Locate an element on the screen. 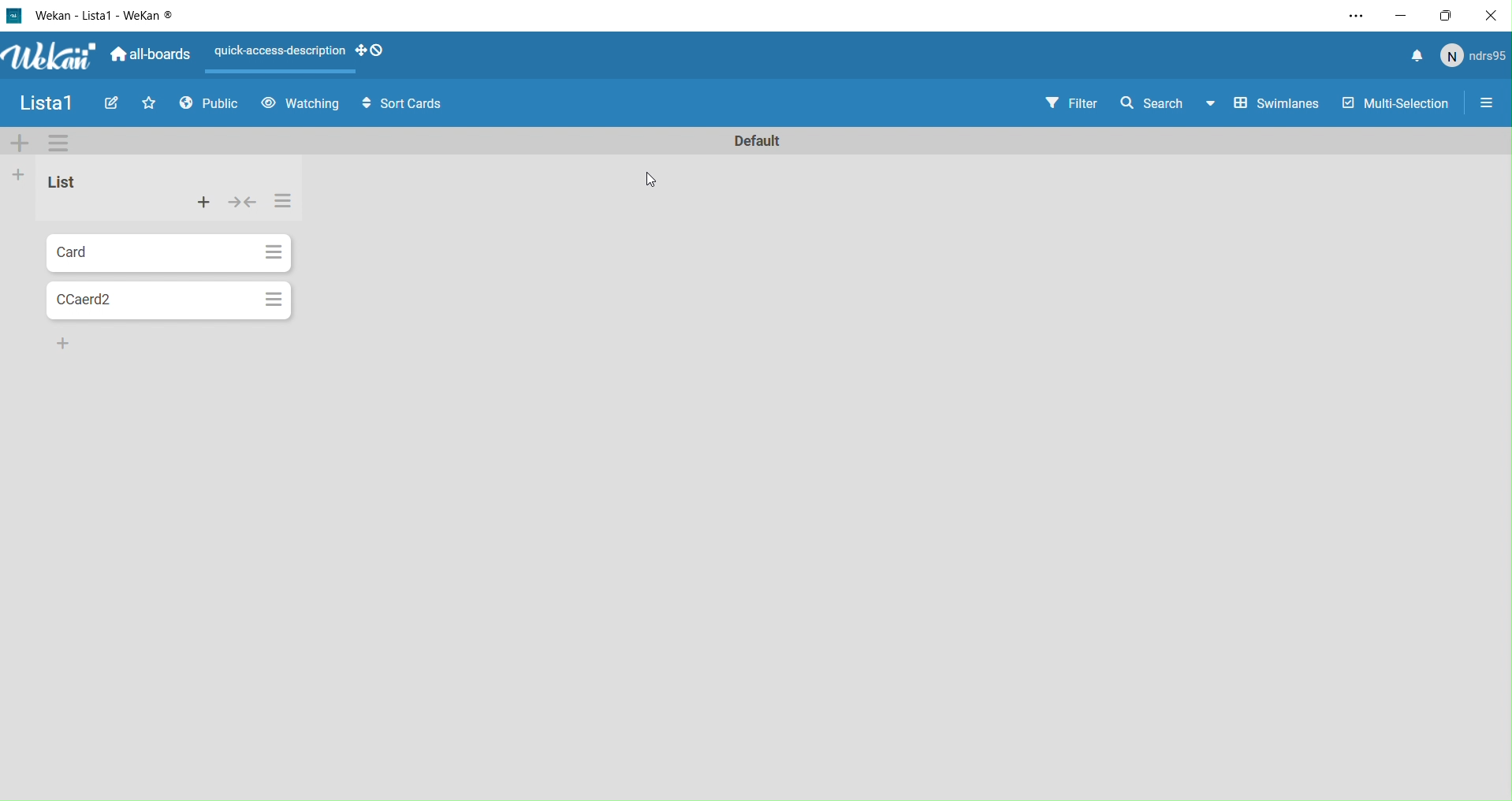 This screenshot has height=801, width=1512. Add is located at coordinates (62, 347).